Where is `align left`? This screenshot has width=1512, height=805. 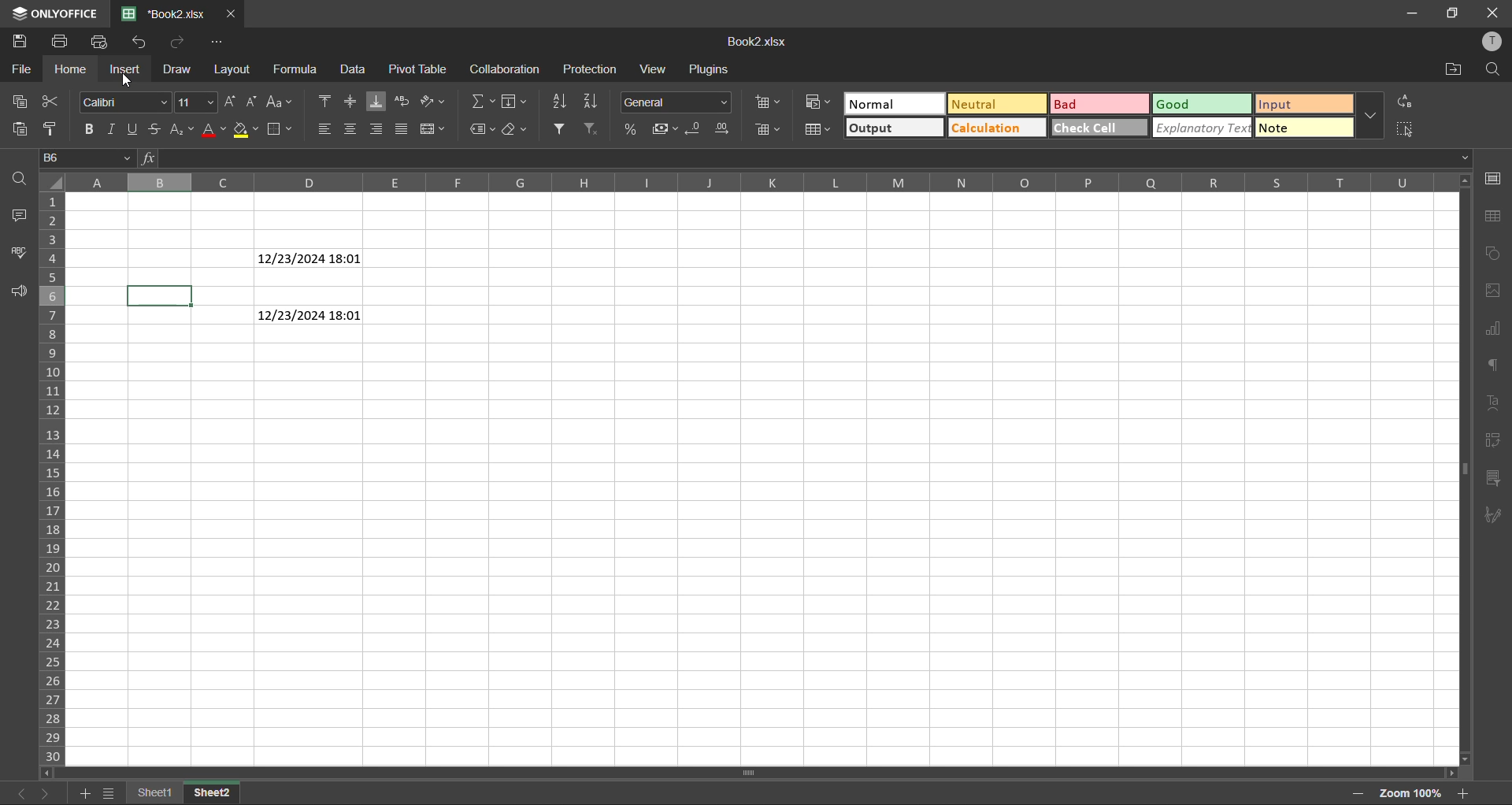
align left is located at coordinates (325, 131).